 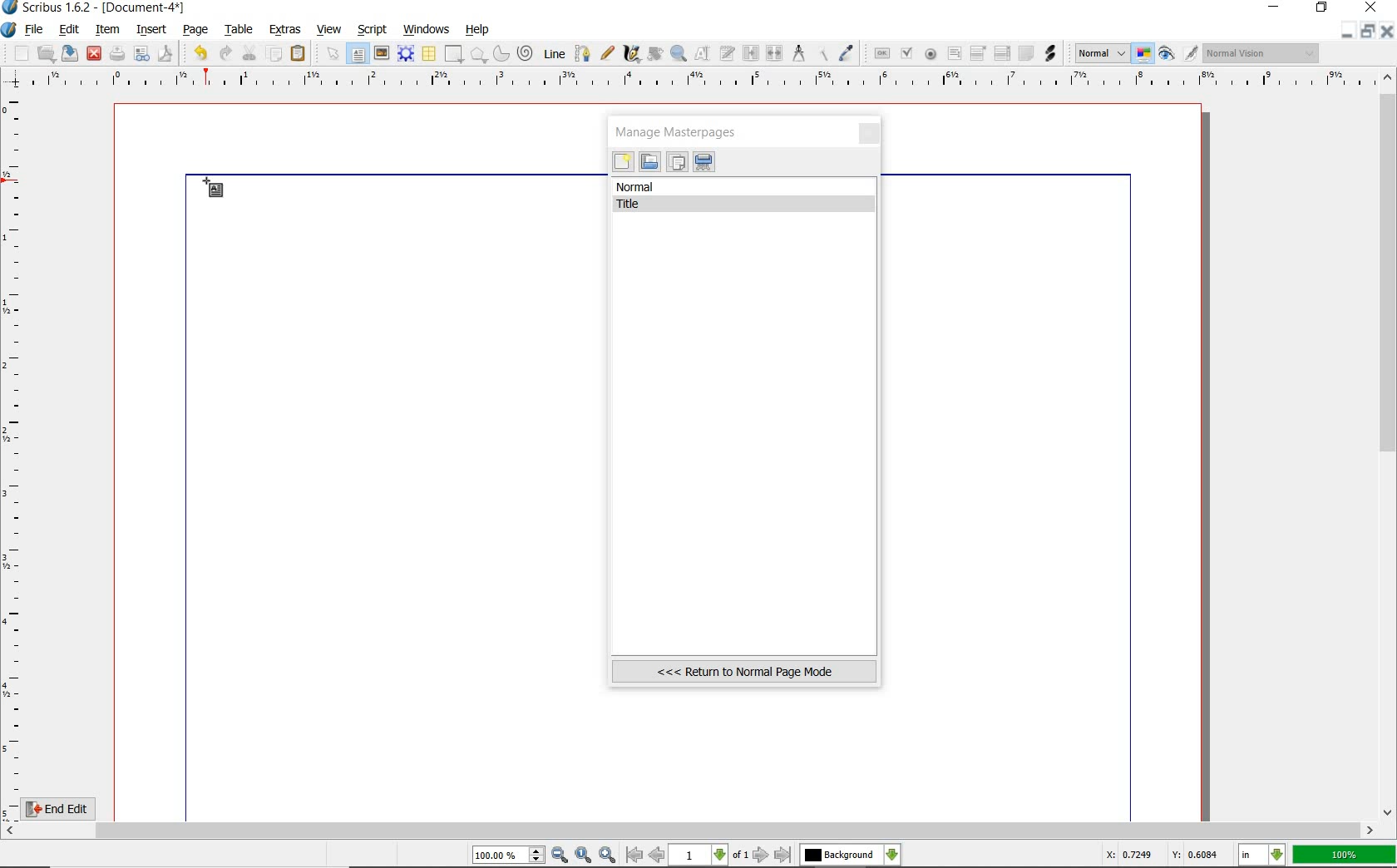 What do you see at coordinates (605, 54) in the screenshot?
I see `freehand line` at bounding box center [605, 54].